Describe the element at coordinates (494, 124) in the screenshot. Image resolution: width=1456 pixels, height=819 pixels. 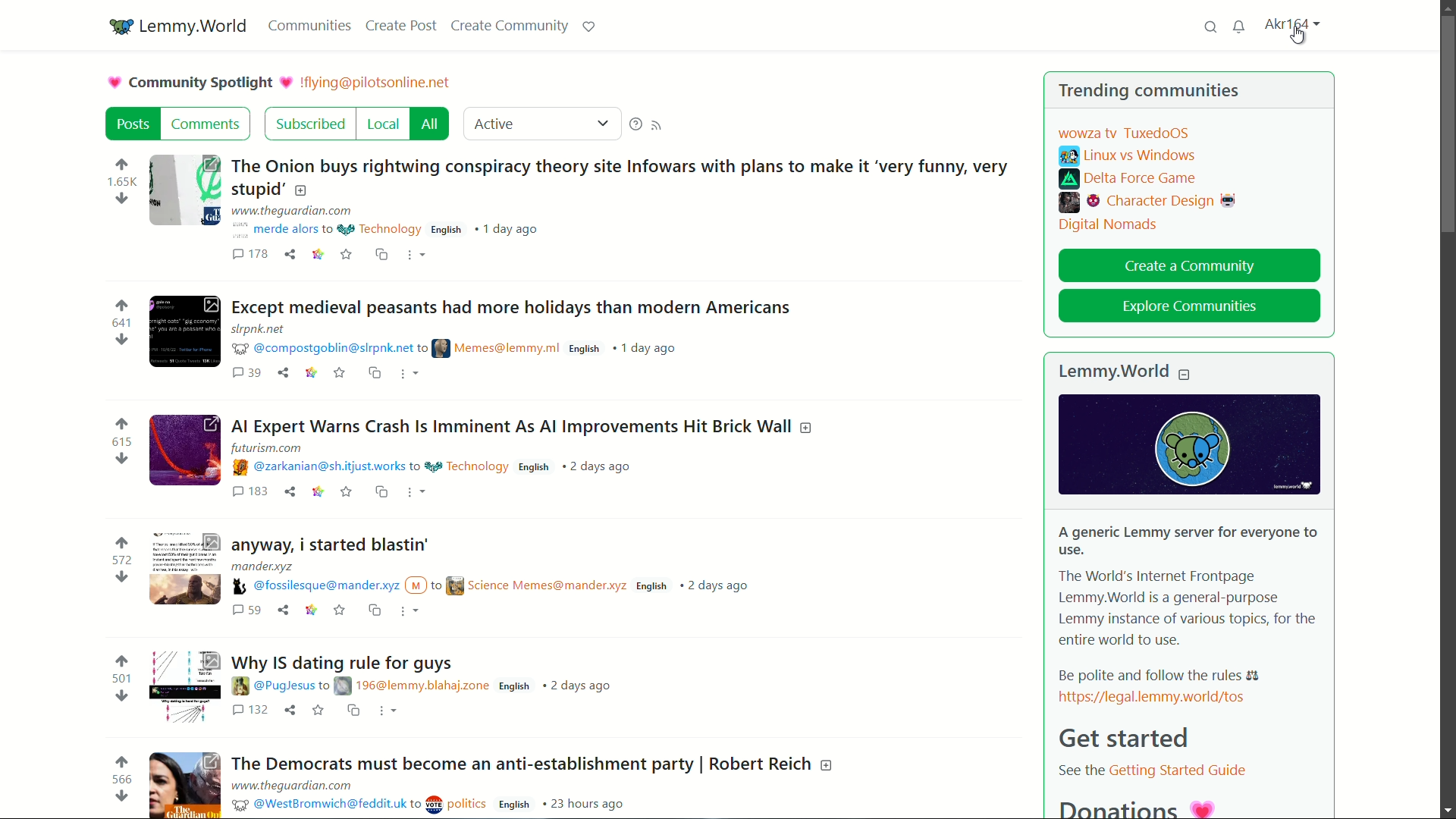
I see `active` at that location.